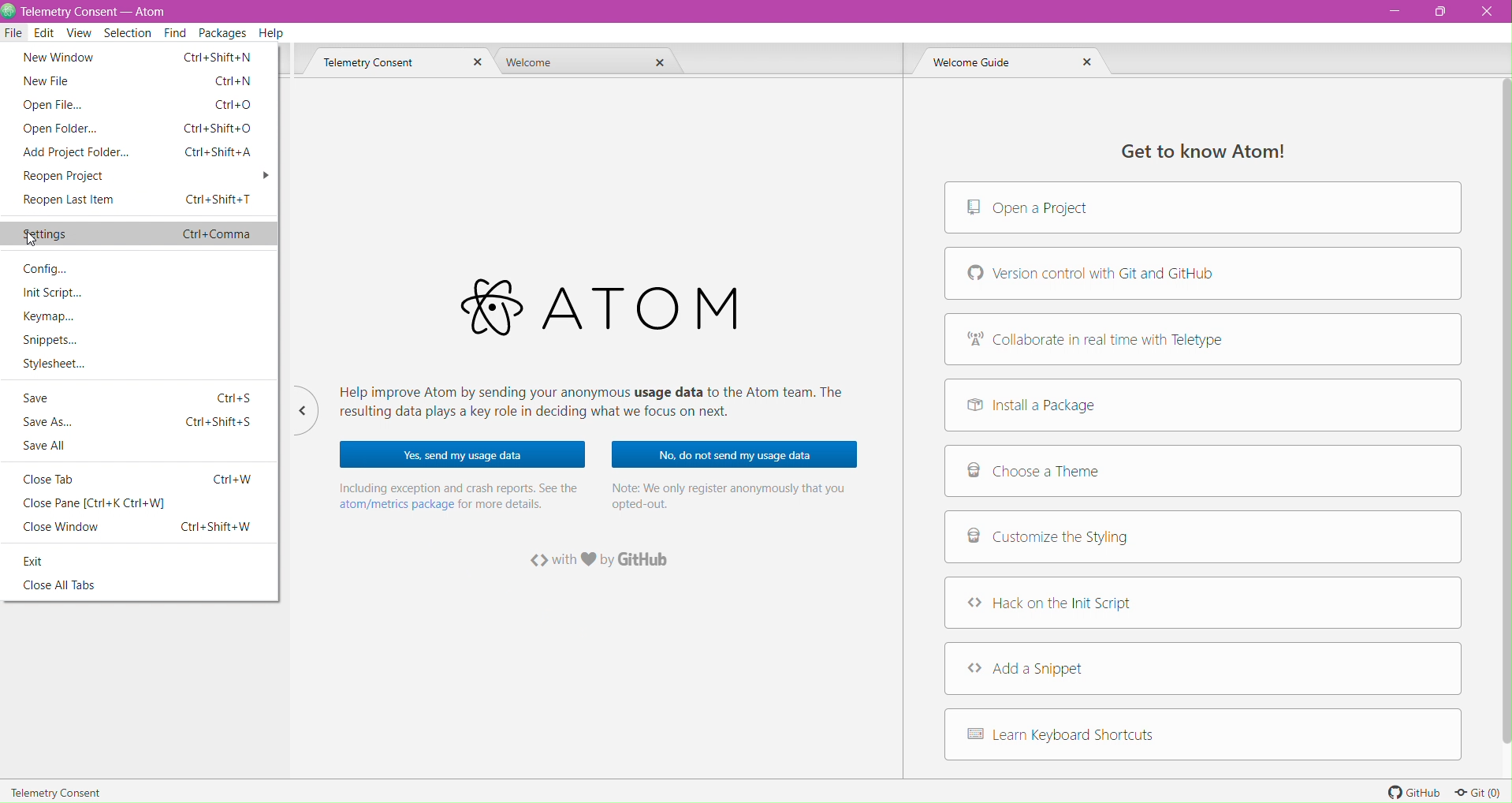 Image resolution: width=1512 pixels, height=803 pixels. I want to click on Open Folder, so click(142, 130).